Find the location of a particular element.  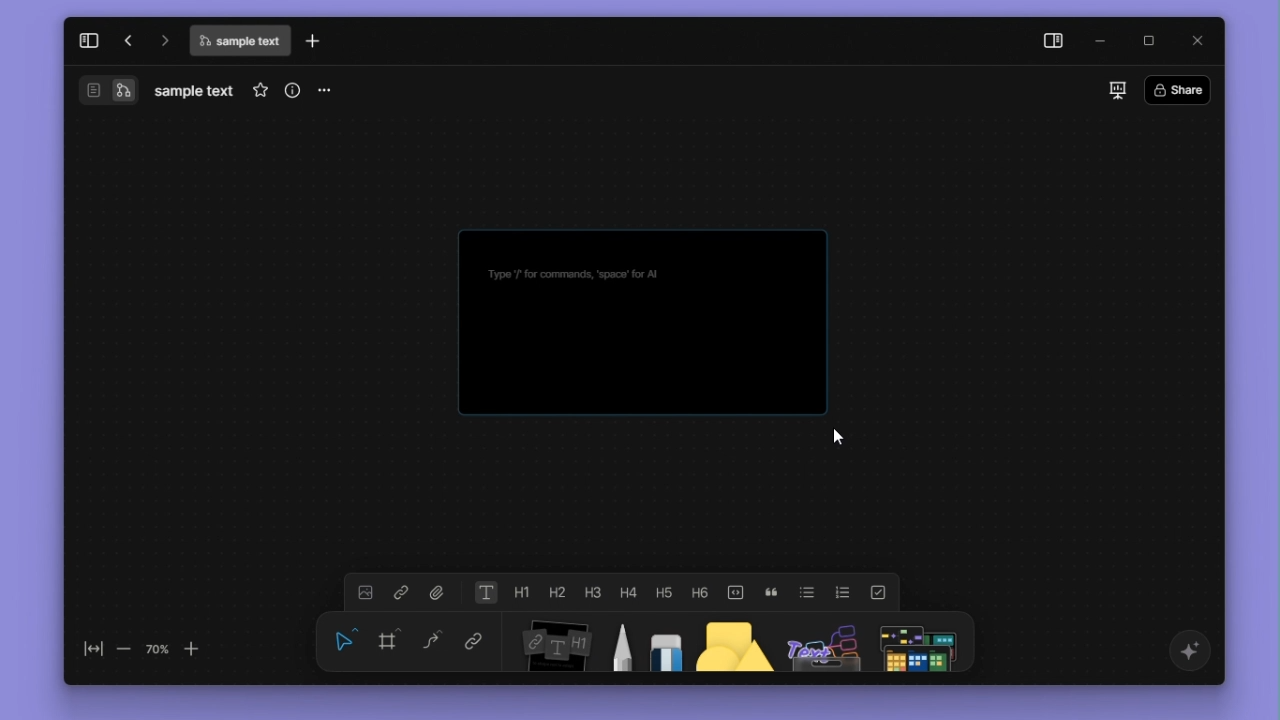

heading 3 is located at coordinates (592, 590).